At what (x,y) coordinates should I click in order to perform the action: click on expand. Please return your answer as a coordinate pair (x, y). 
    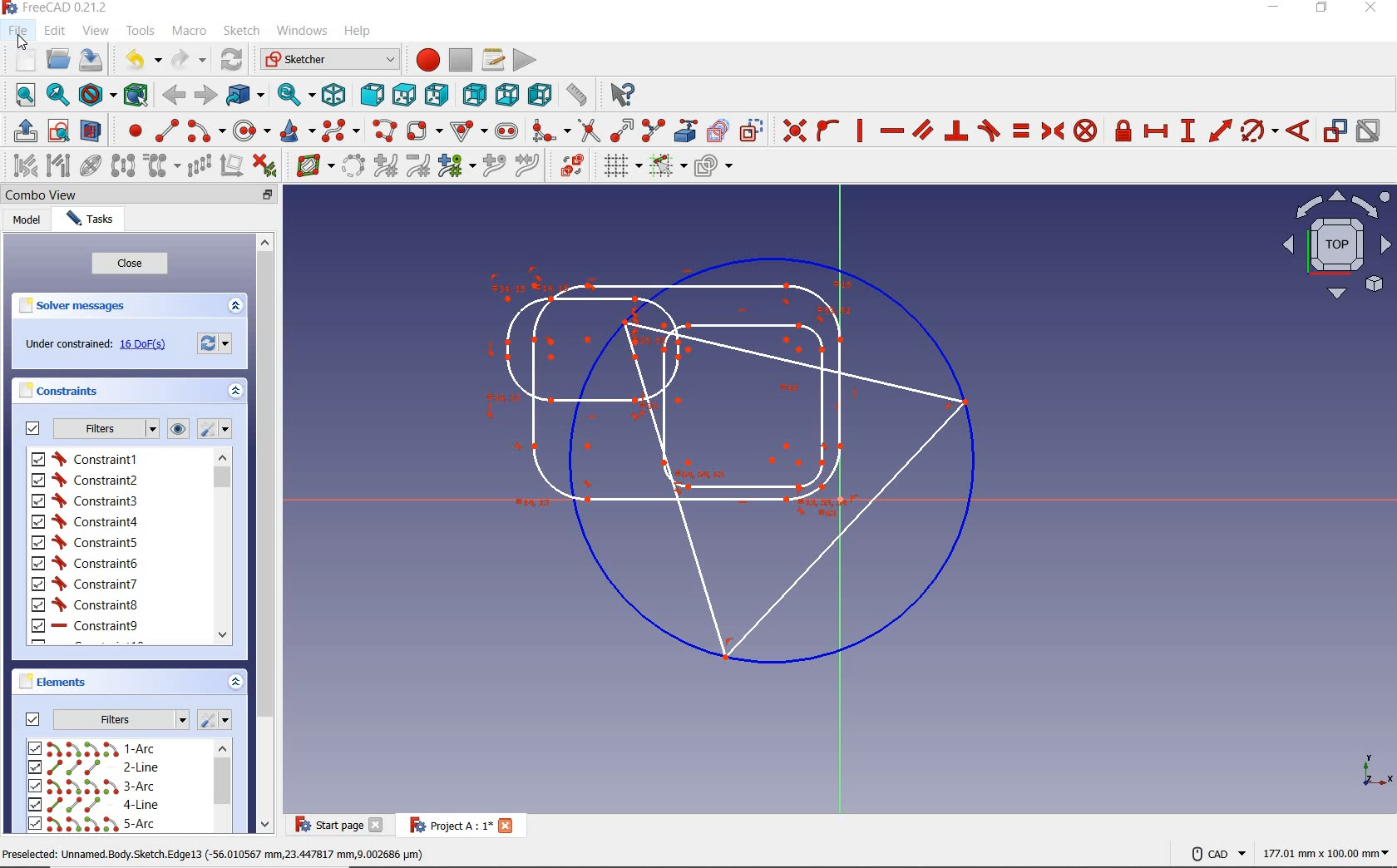
    Looking at the image, I should click on (234, 682).